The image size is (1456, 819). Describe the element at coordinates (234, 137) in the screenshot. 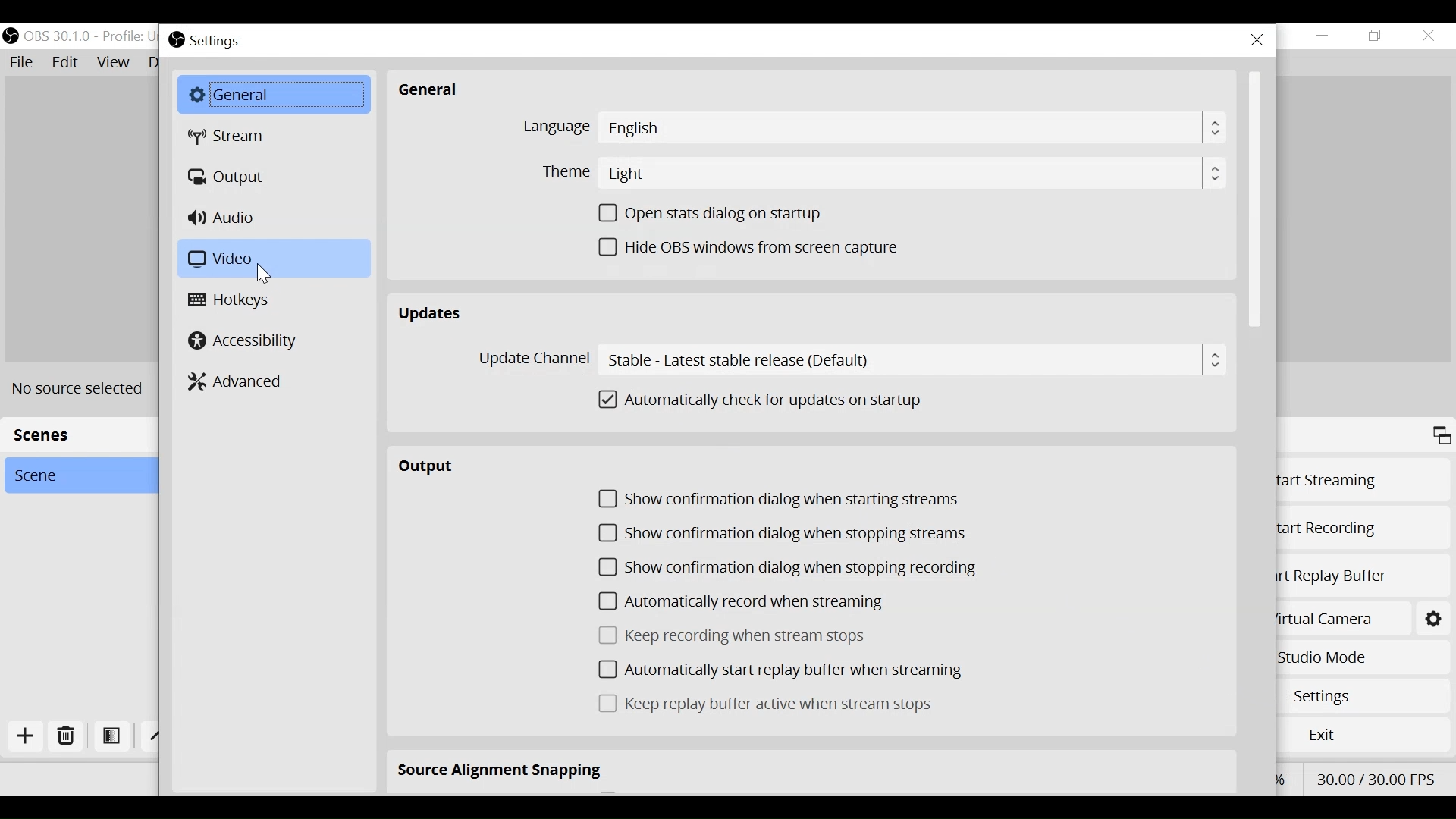

I see `Stream` at that location.